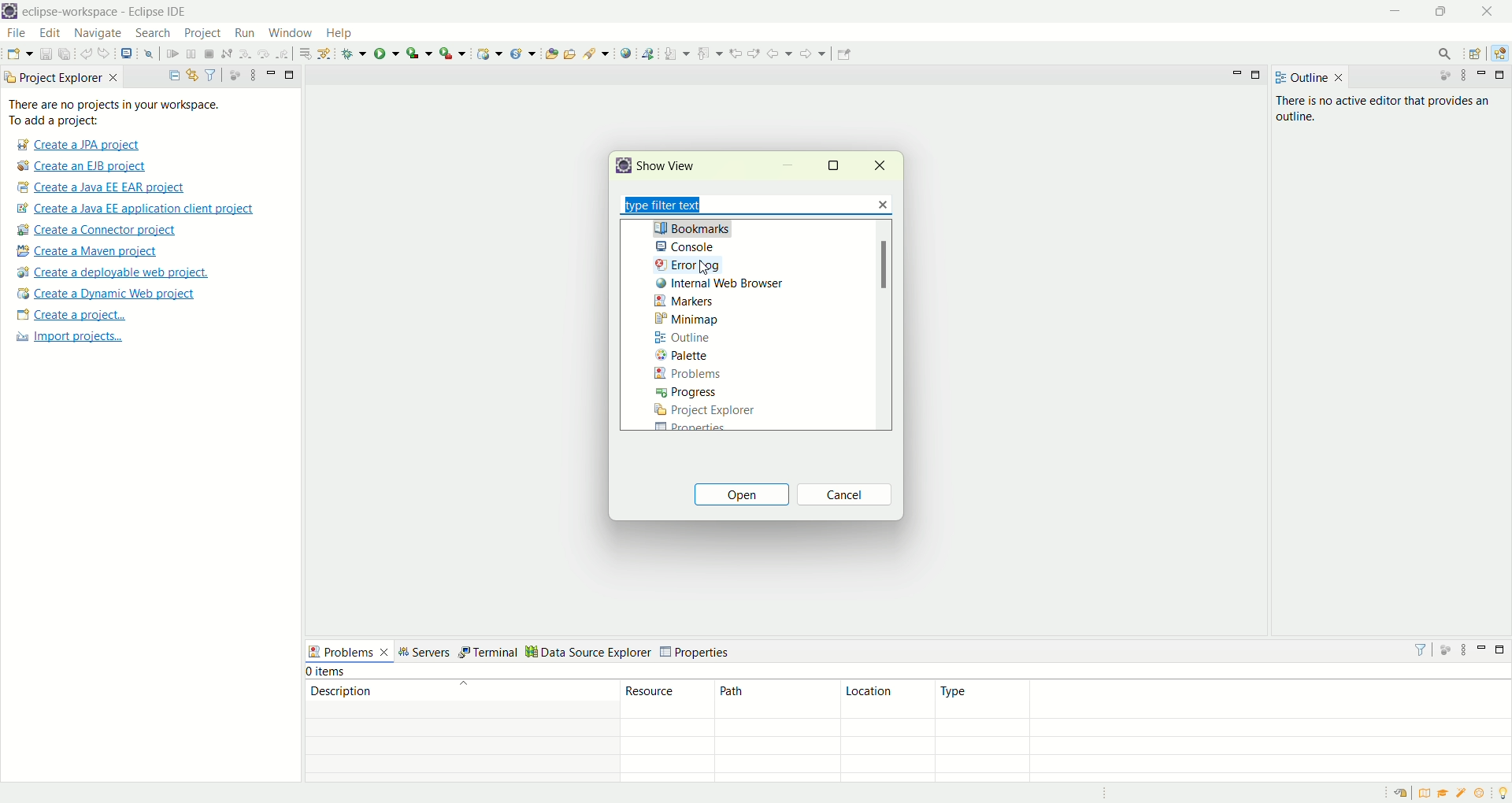 Image resolution: width=1512 pixels, height=803 pixels. What do you see at coordinates (1442, 796) in the screenshot?
I see `tutorial` at bounding box center [1442, 796].